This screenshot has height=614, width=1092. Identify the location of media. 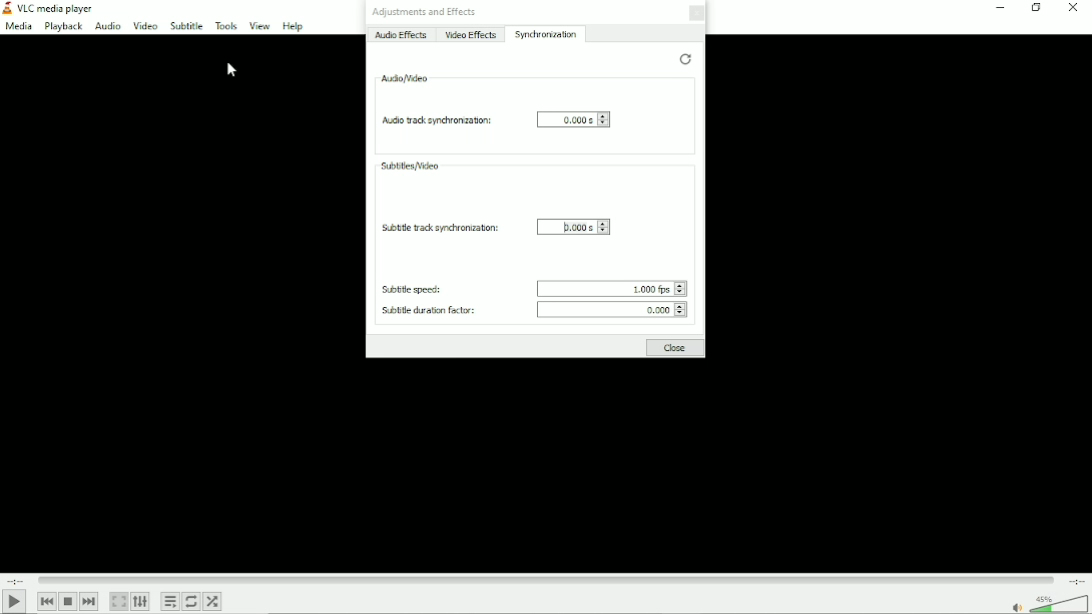
(20, 27).